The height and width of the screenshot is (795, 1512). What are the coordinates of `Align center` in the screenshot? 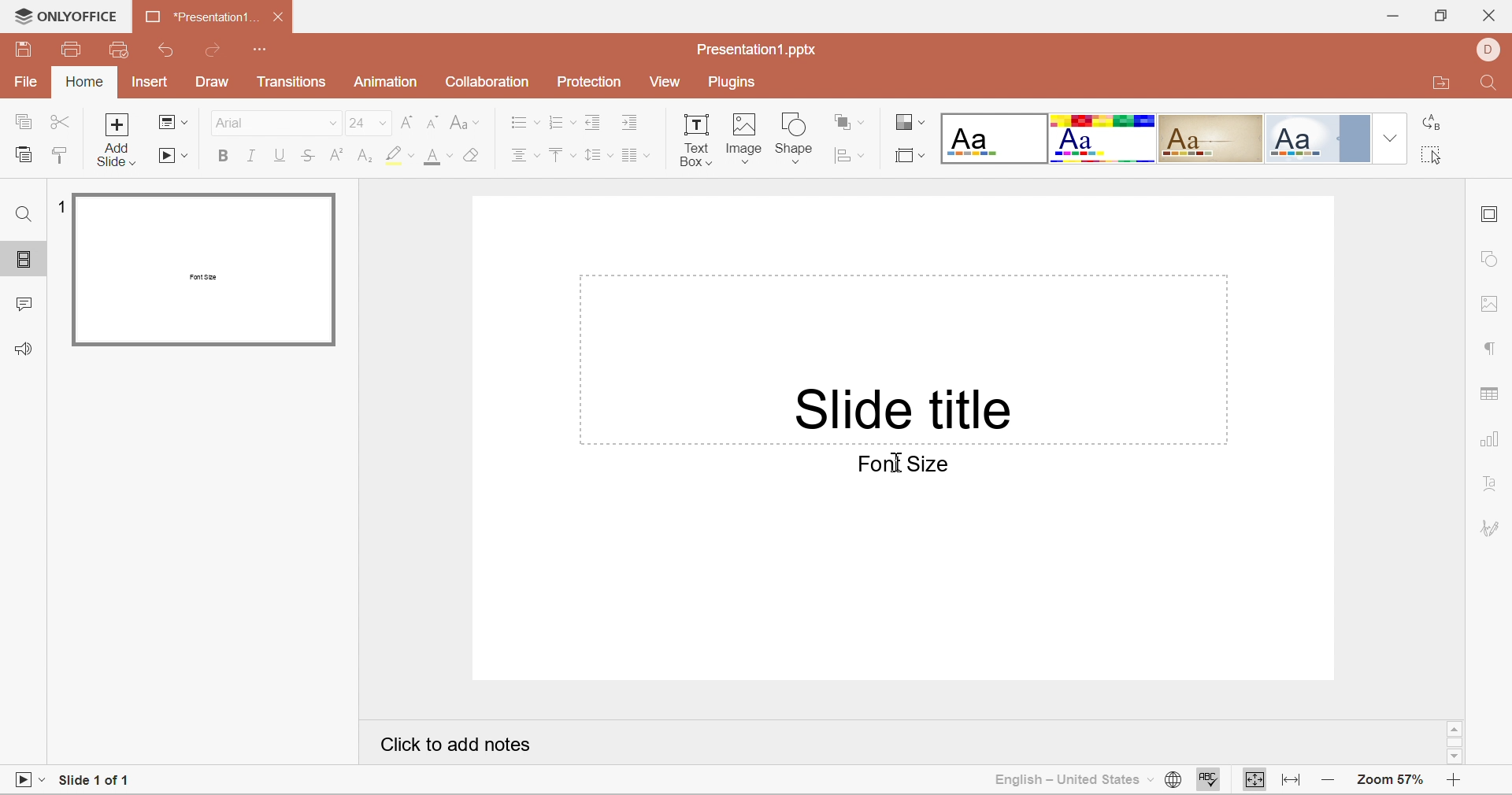 It's located at (526, 159).